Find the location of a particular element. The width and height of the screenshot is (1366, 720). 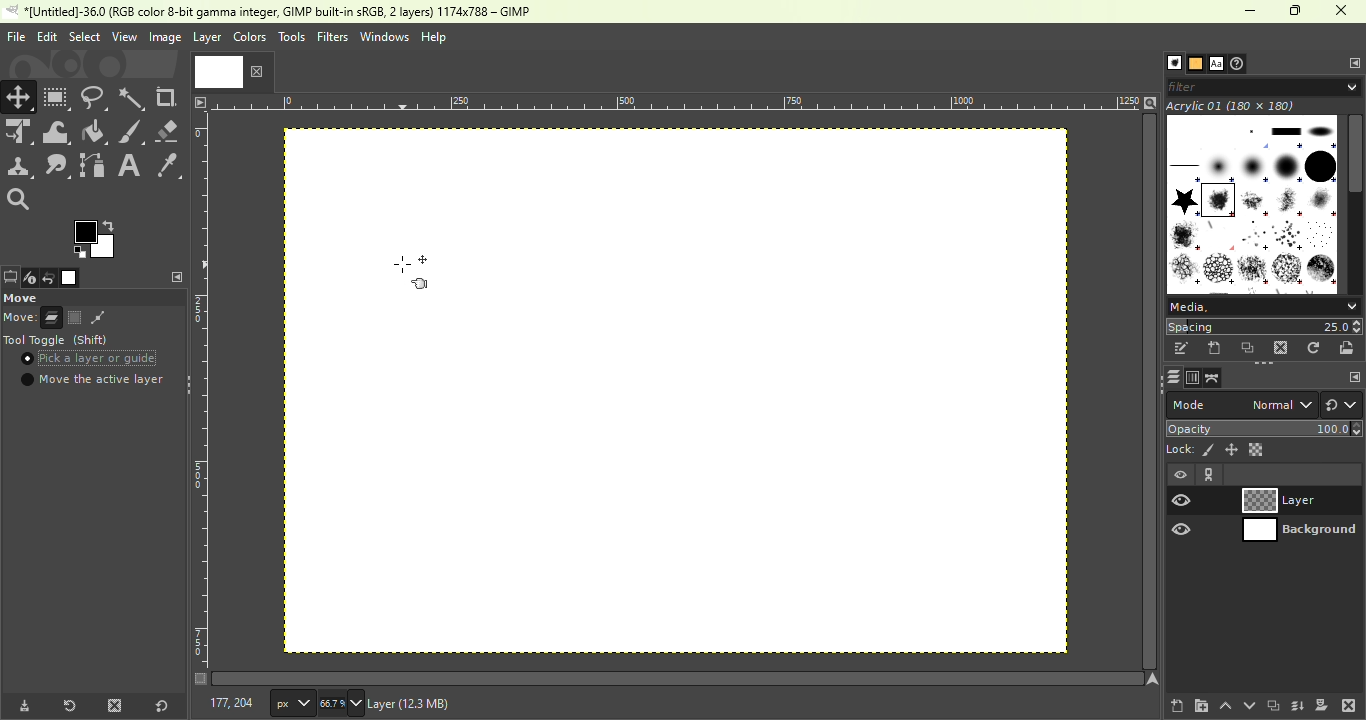

Merge all visible layers with last used values is located at coordinates (1299, 706).